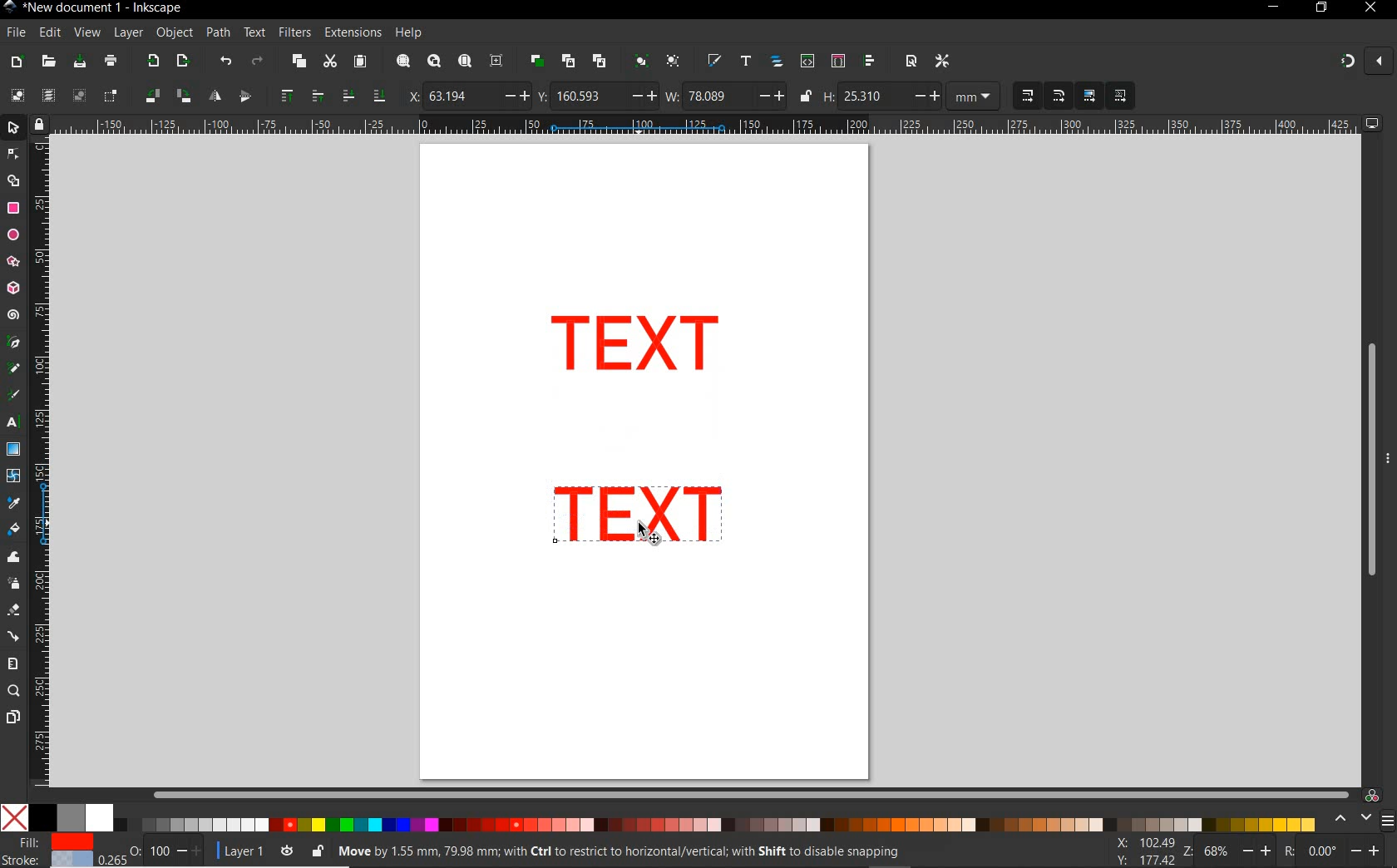  What do you see at coordinates (50, 61) in the screenshot?
I see `open file dialog` at bounding box center [50, 61].